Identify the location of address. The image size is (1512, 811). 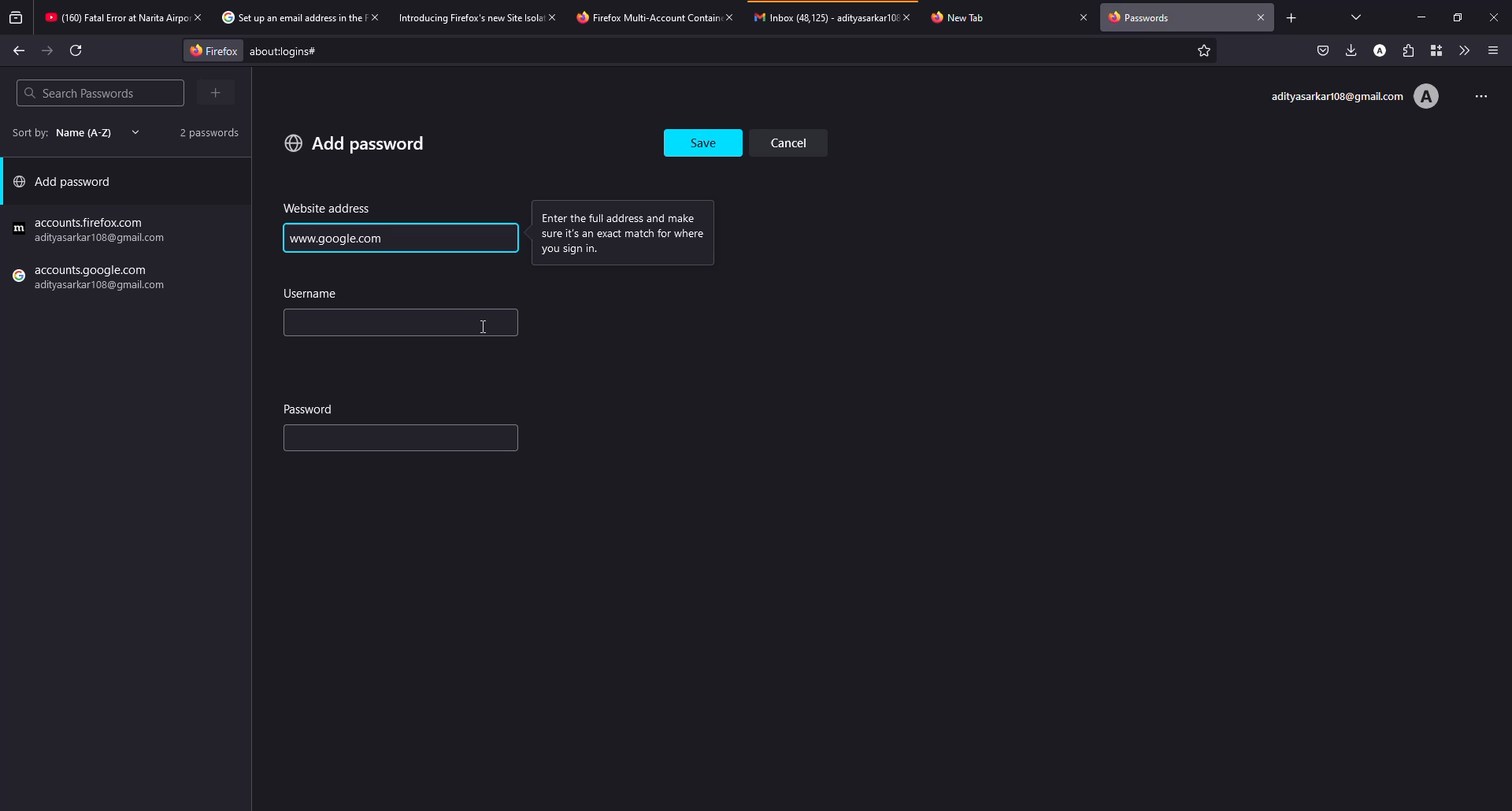
(328, 209).